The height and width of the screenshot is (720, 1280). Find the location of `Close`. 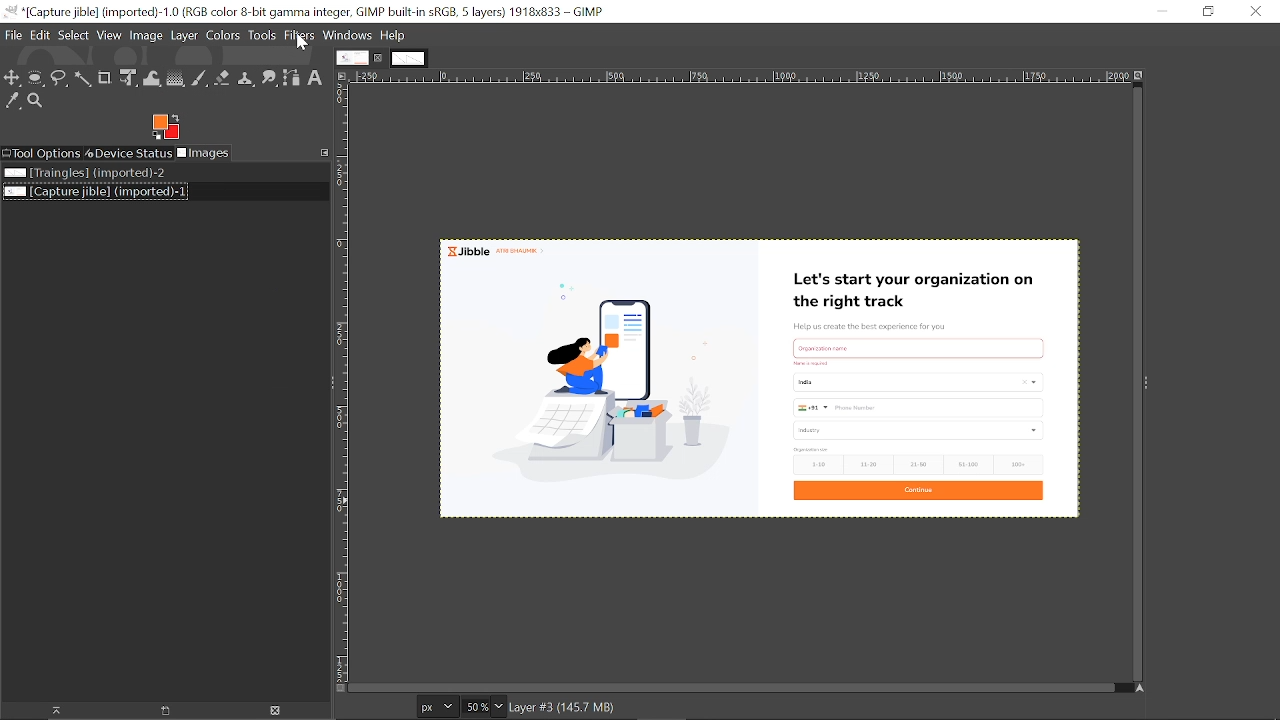

Close is located at coordinates (1254, 12).